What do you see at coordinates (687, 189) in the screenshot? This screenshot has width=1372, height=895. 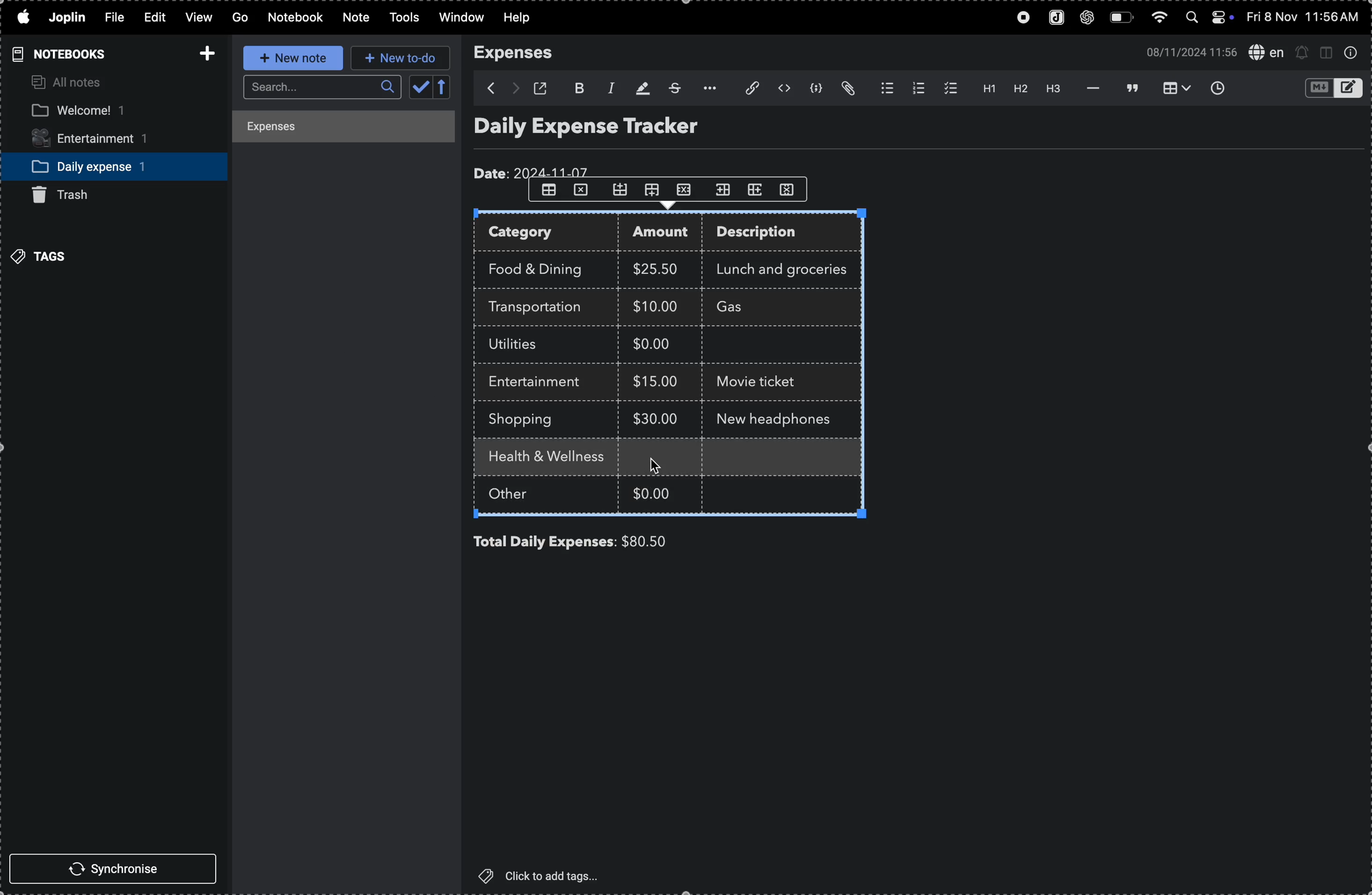 I see `close row` at bounding box center [687, 189].